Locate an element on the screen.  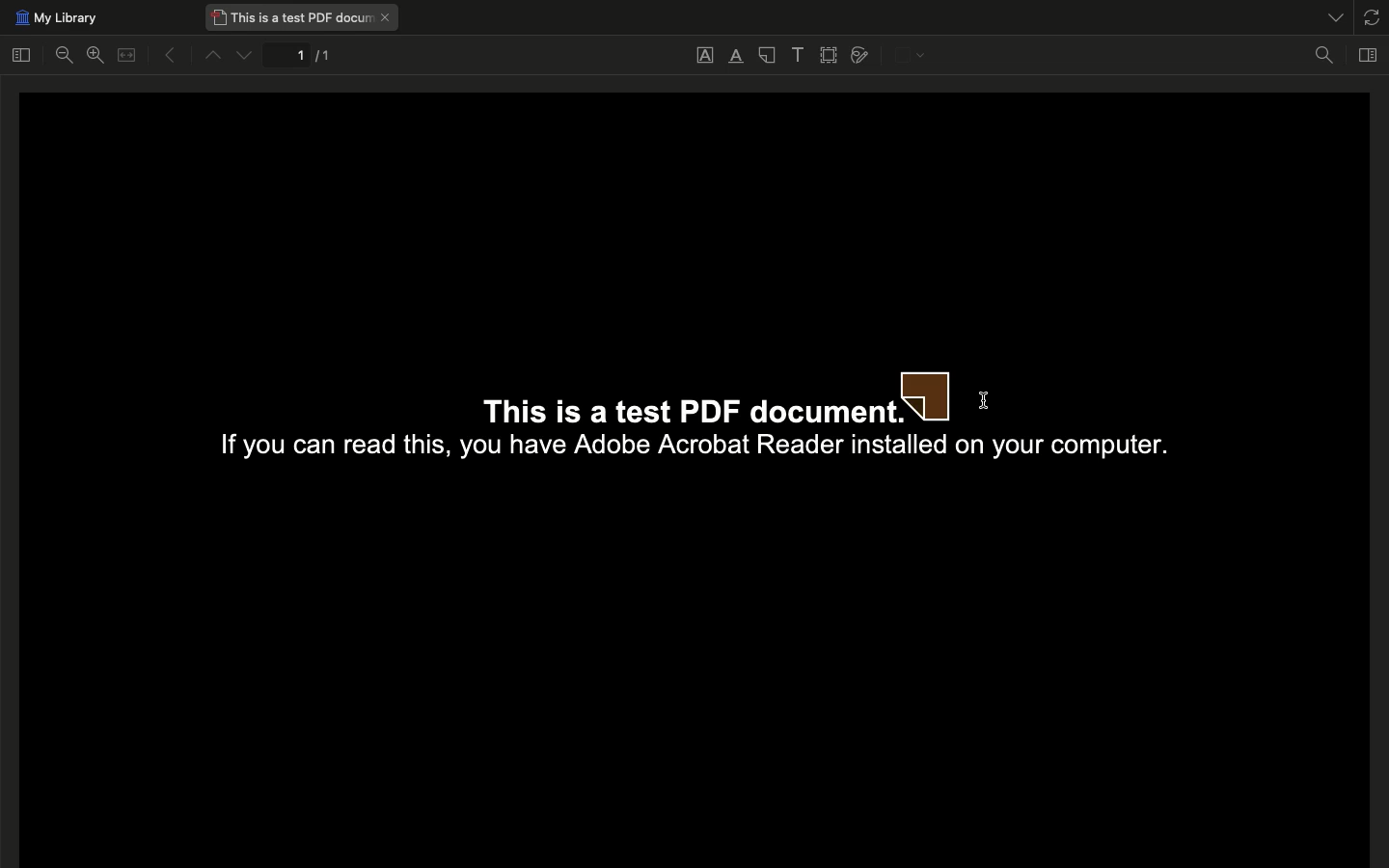
Select area is located at coordinates (831, 56).